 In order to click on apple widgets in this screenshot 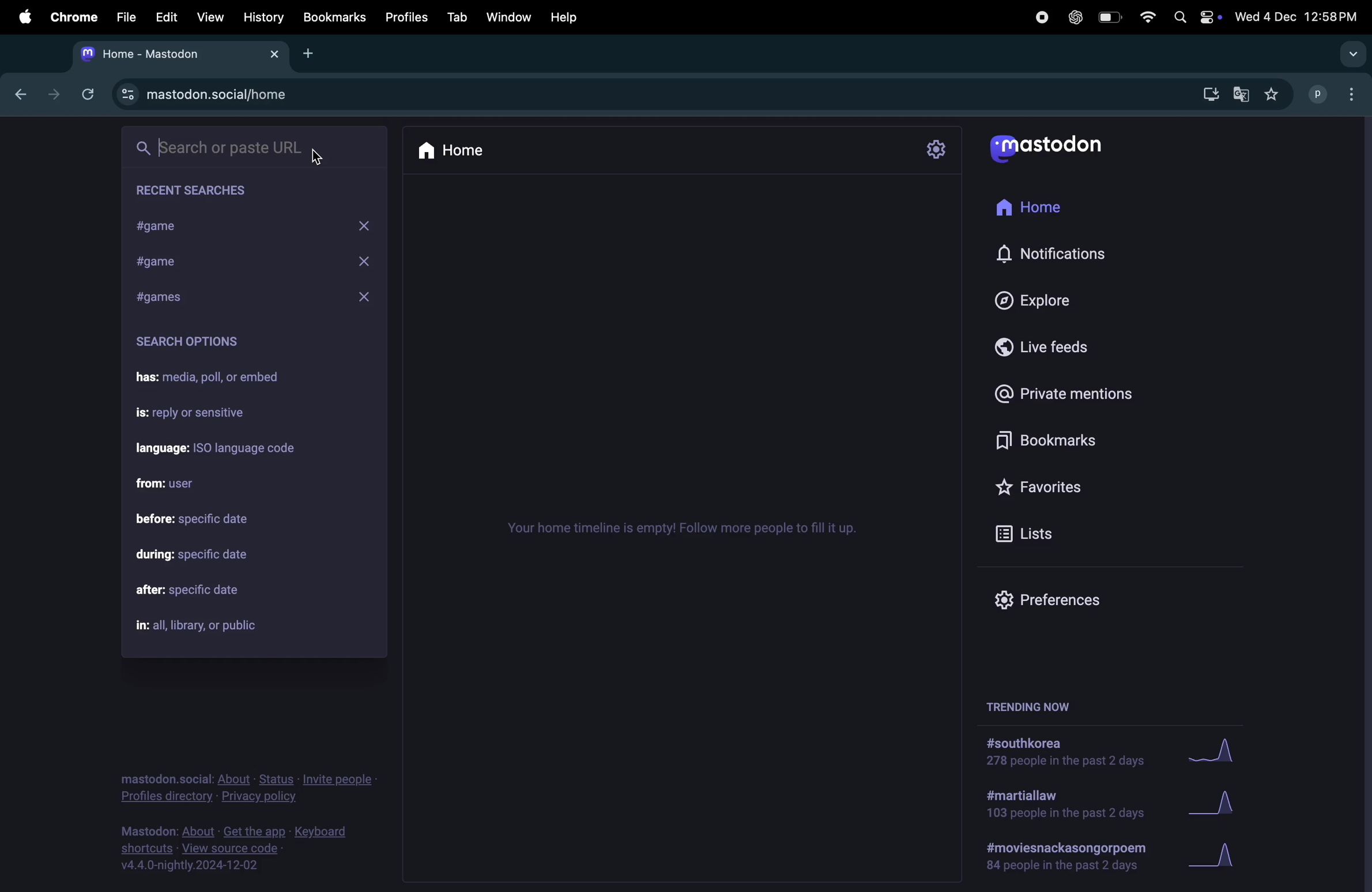, I will do `click(1193, 16)`.